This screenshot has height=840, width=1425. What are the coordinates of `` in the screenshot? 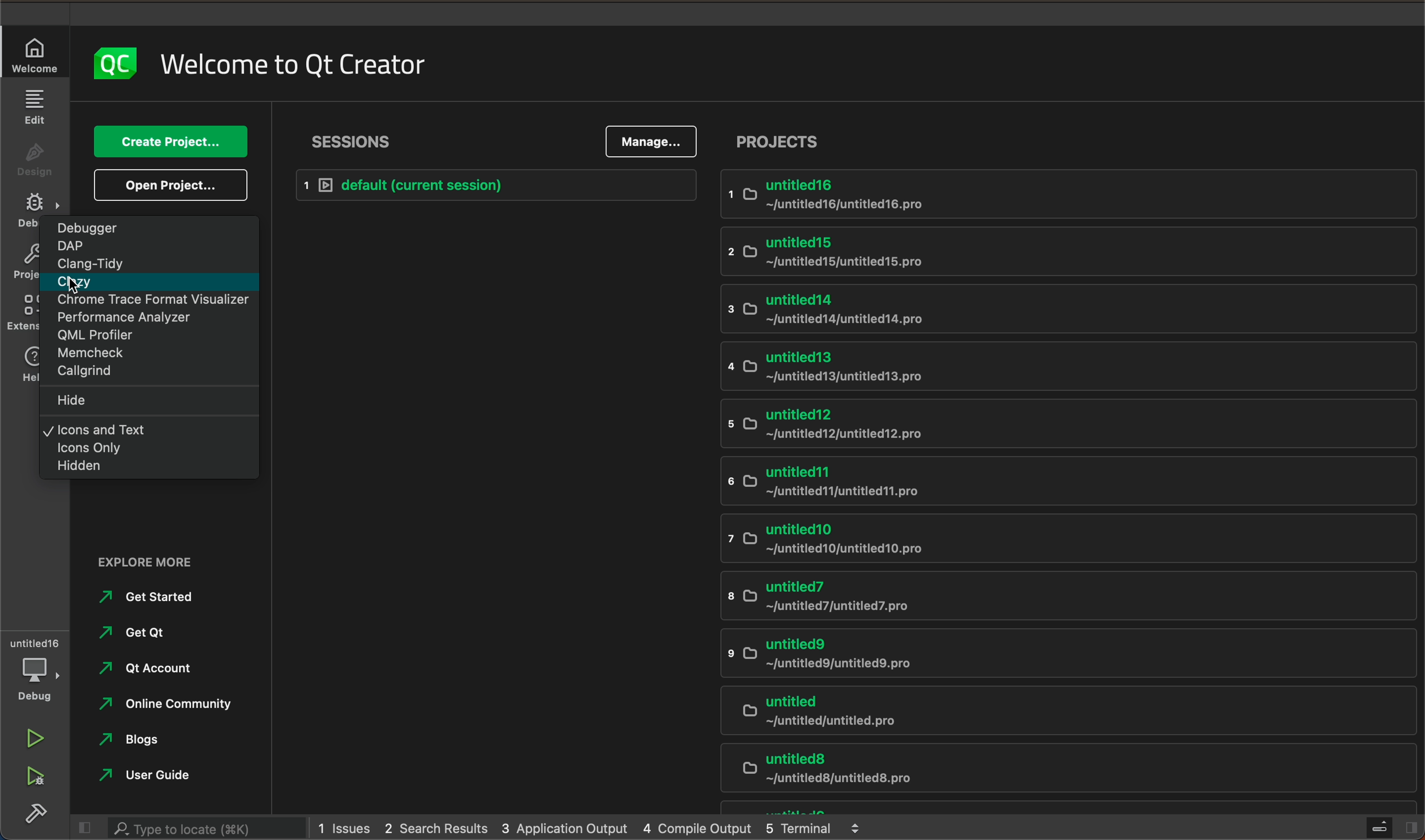 It's located at (24, 211).